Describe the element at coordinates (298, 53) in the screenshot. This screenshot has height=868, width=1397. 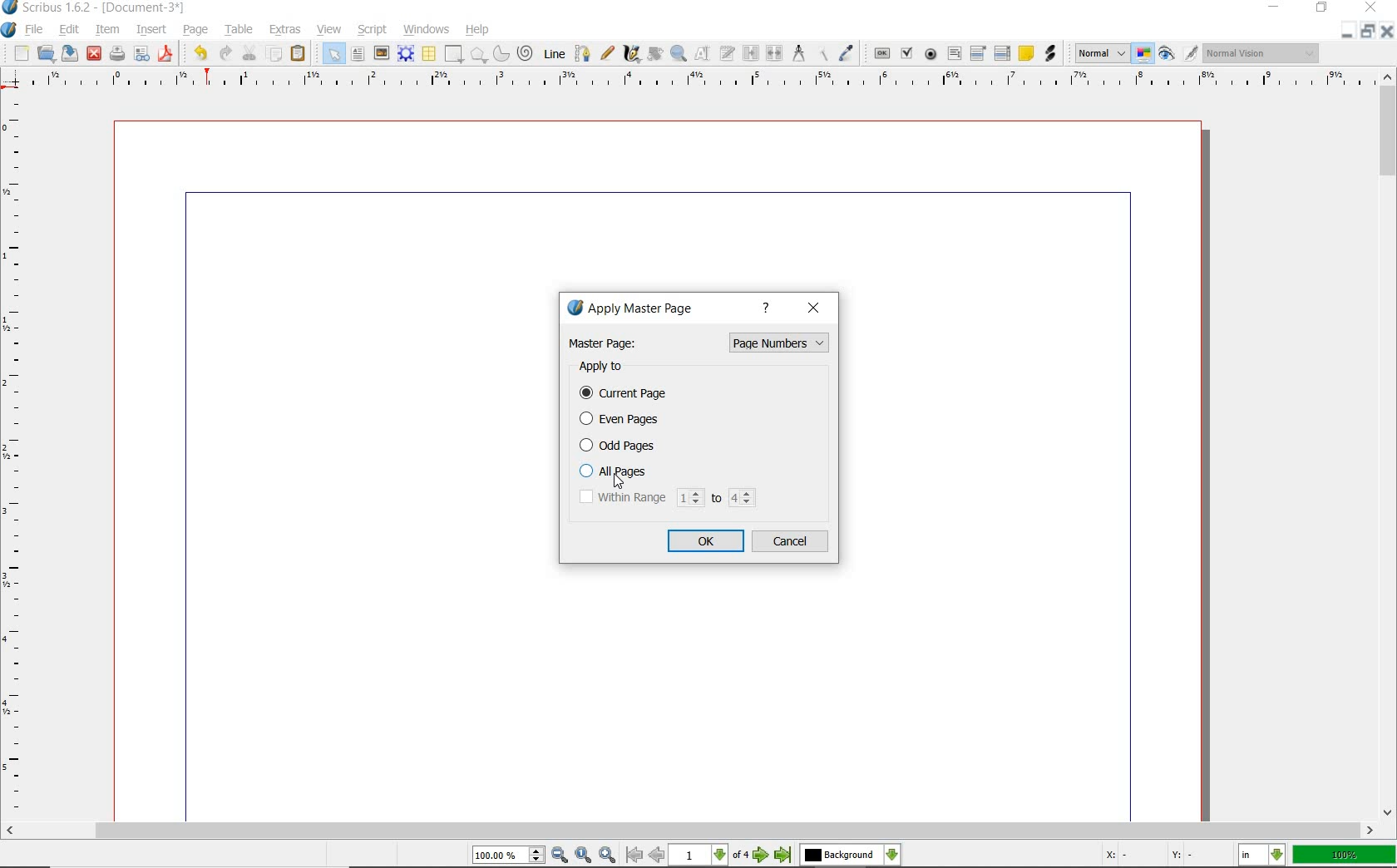
I see `paste` at that location.